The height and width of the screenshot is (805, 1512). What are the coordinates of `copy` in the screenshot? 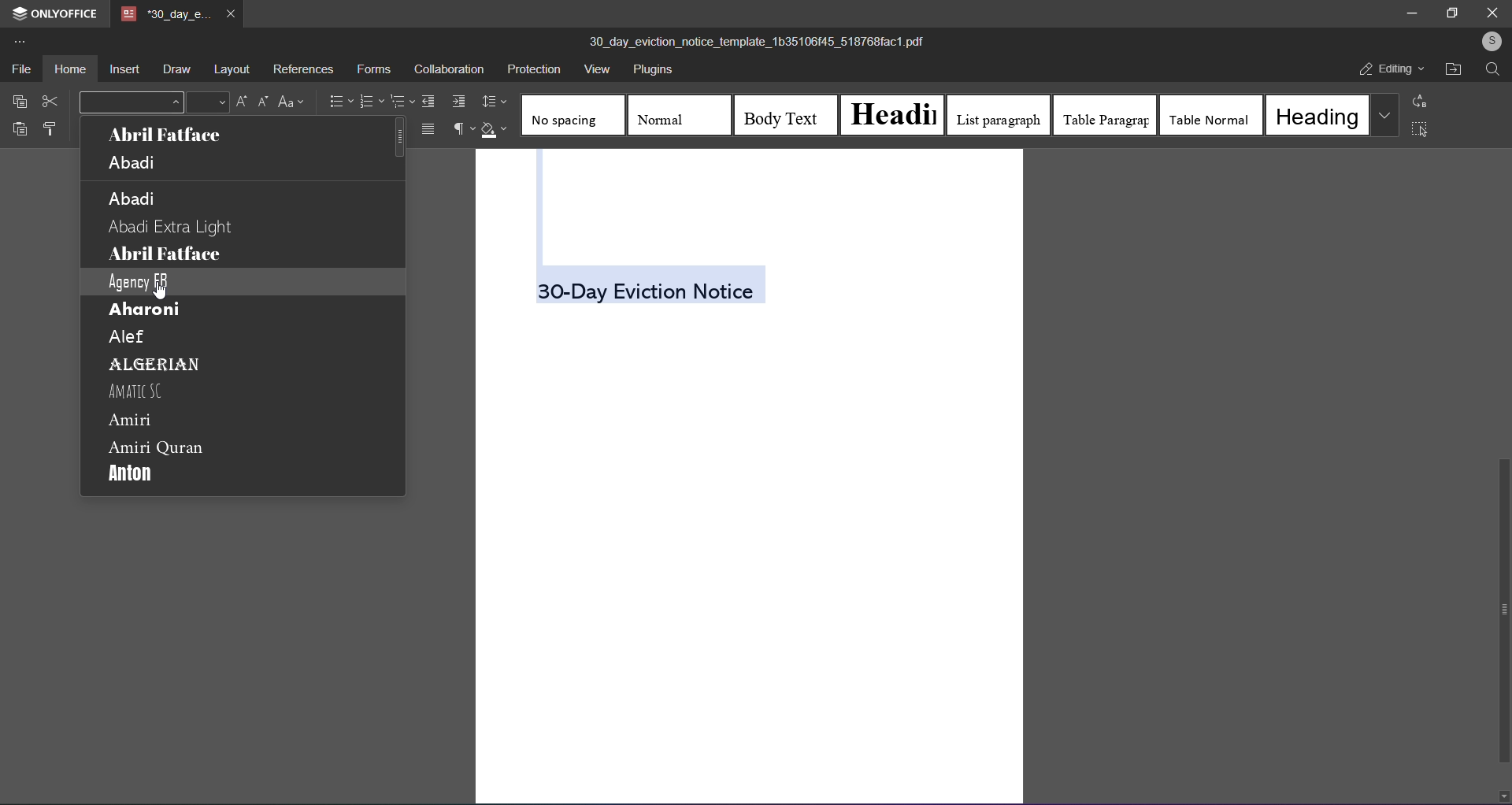 It's located at (17, 100).